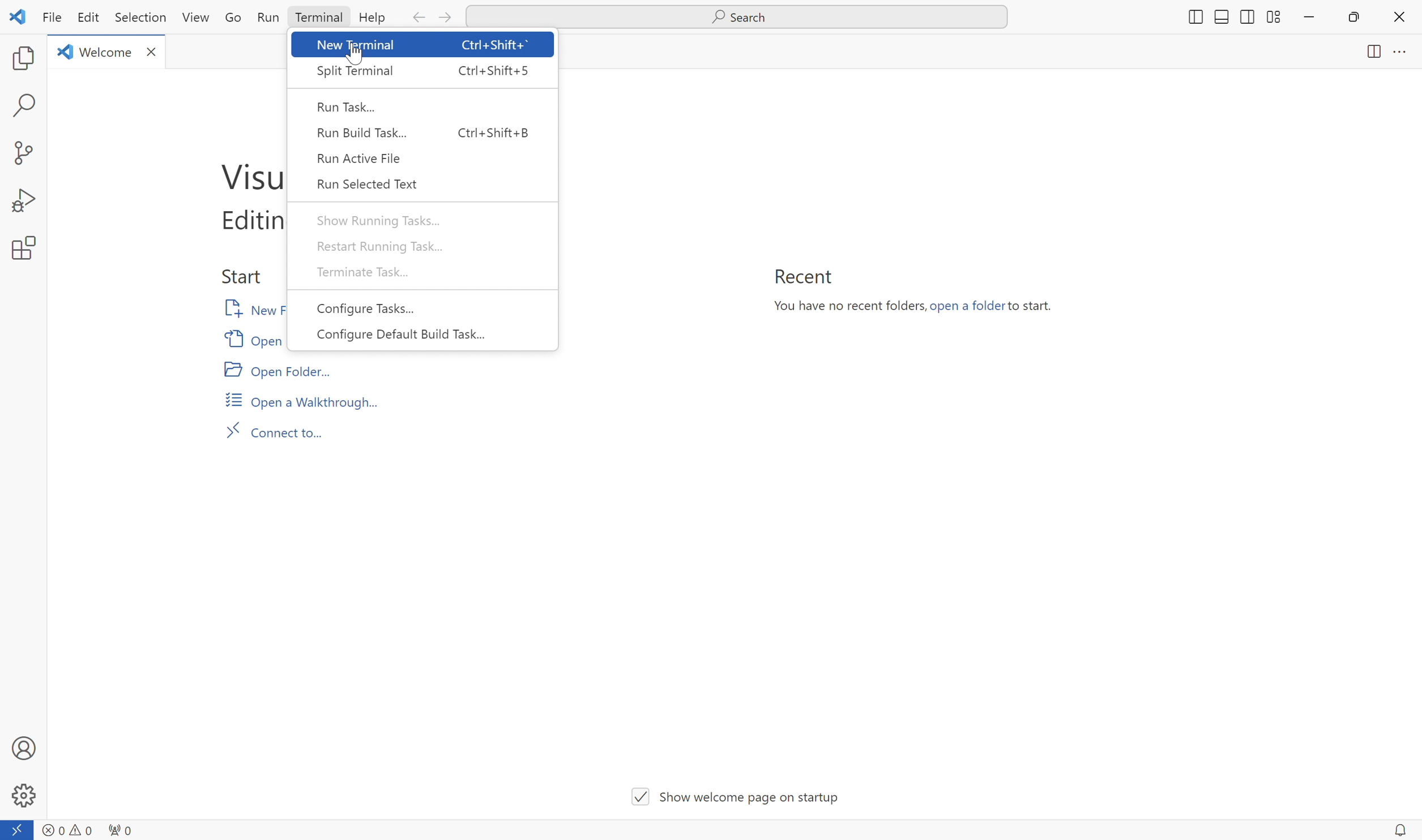 The width and height of the screenshot is (1422, 840). I want to click on minimize, so click(1309, 18).